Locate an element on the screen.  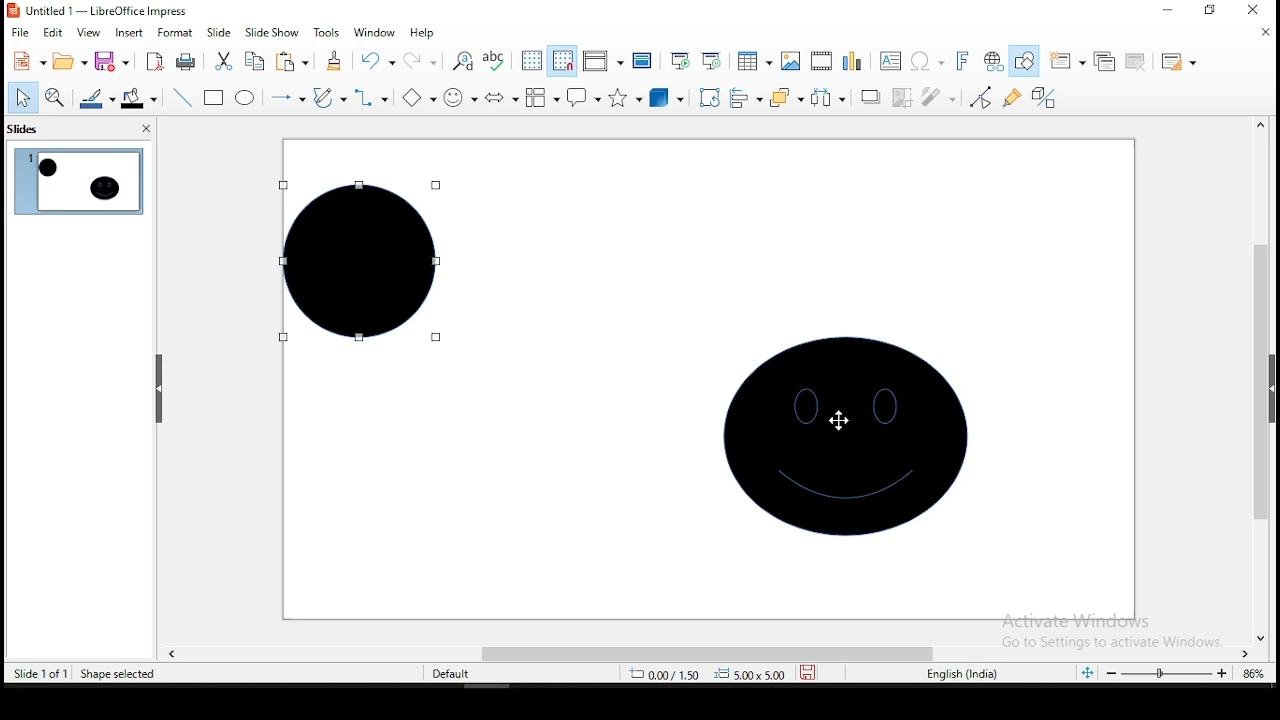
curves and polygons is located at coordinates (330, 96).